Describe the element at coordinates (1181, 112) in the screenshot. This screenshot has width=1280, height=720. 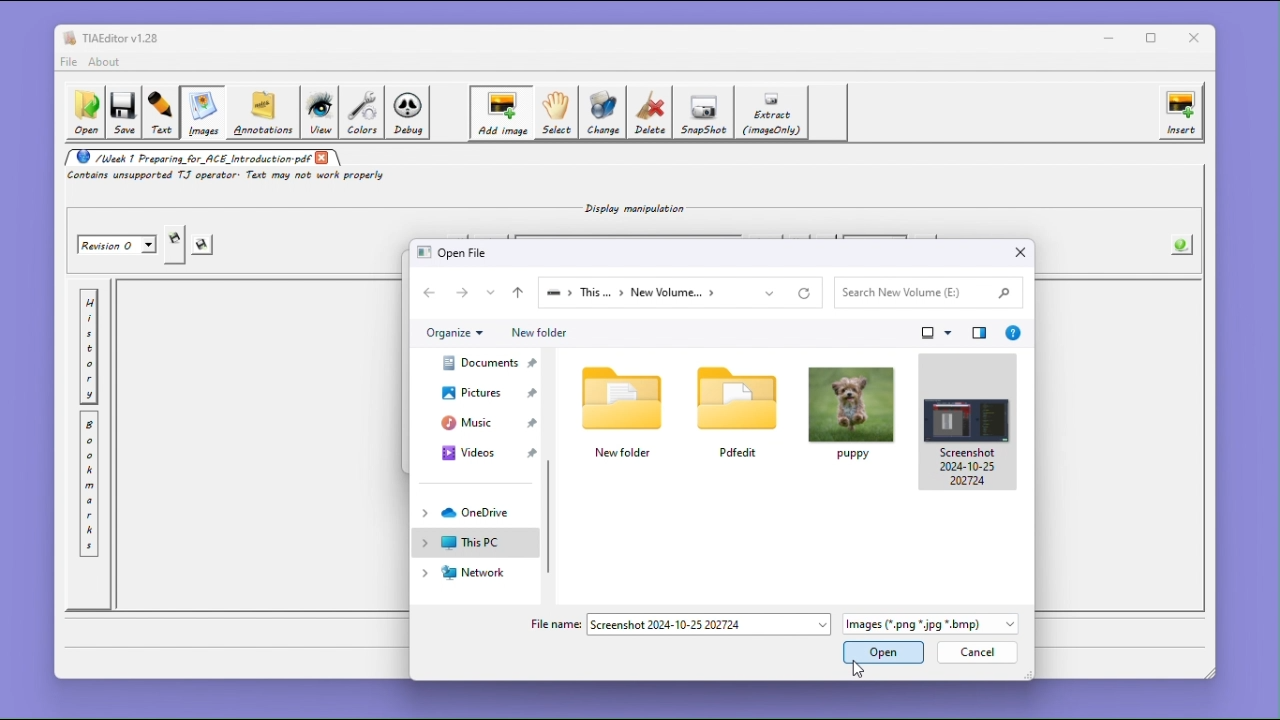
I see `insert` at that location.